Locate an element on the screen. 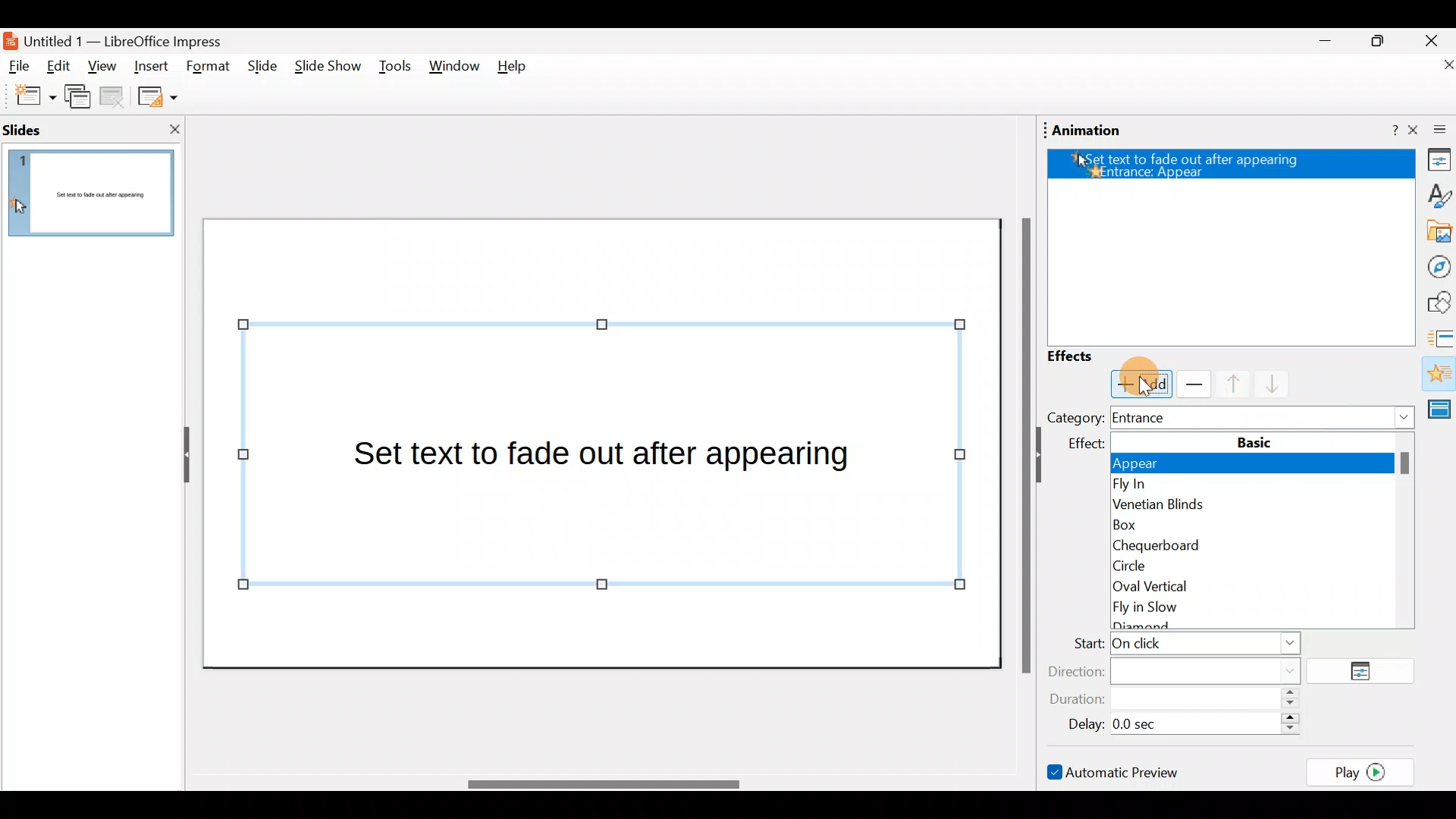  Delay is located at coordinates (1179, 722).